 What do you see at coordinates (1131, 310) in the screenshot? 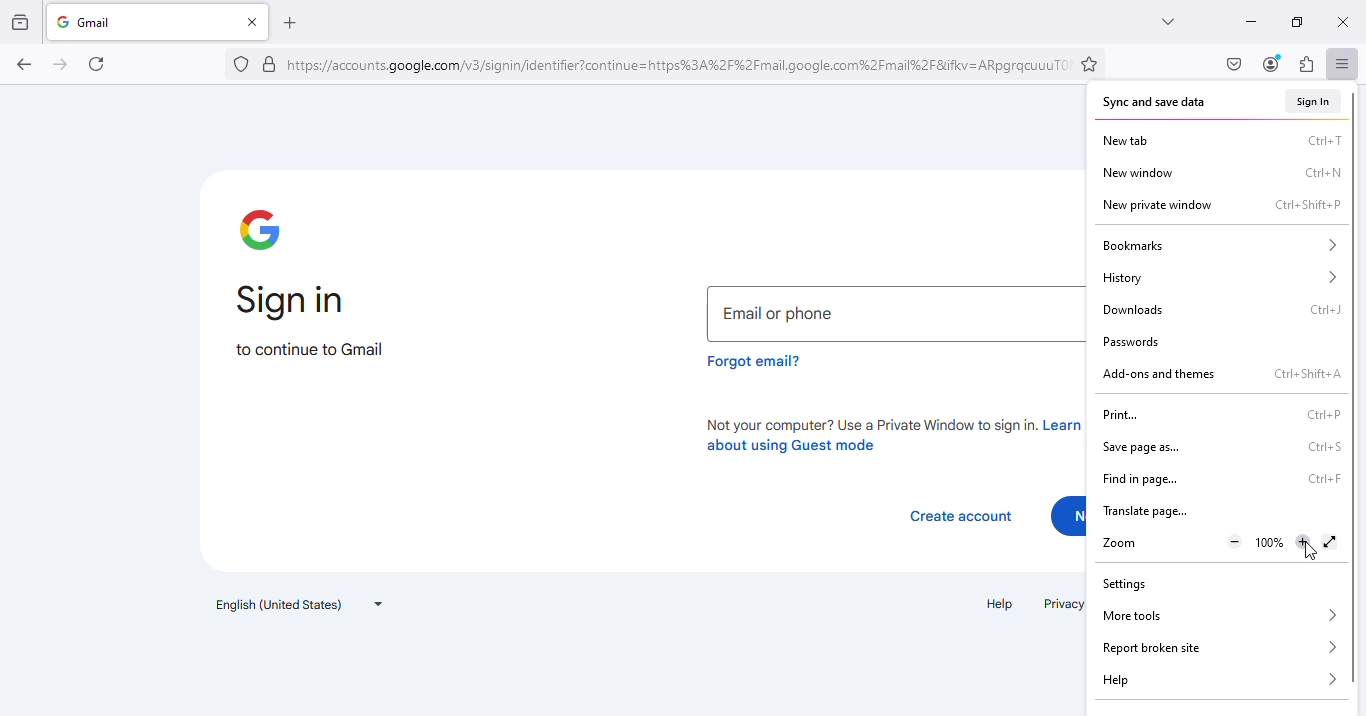
I see `downloads` at bounding box center [1131, 310].